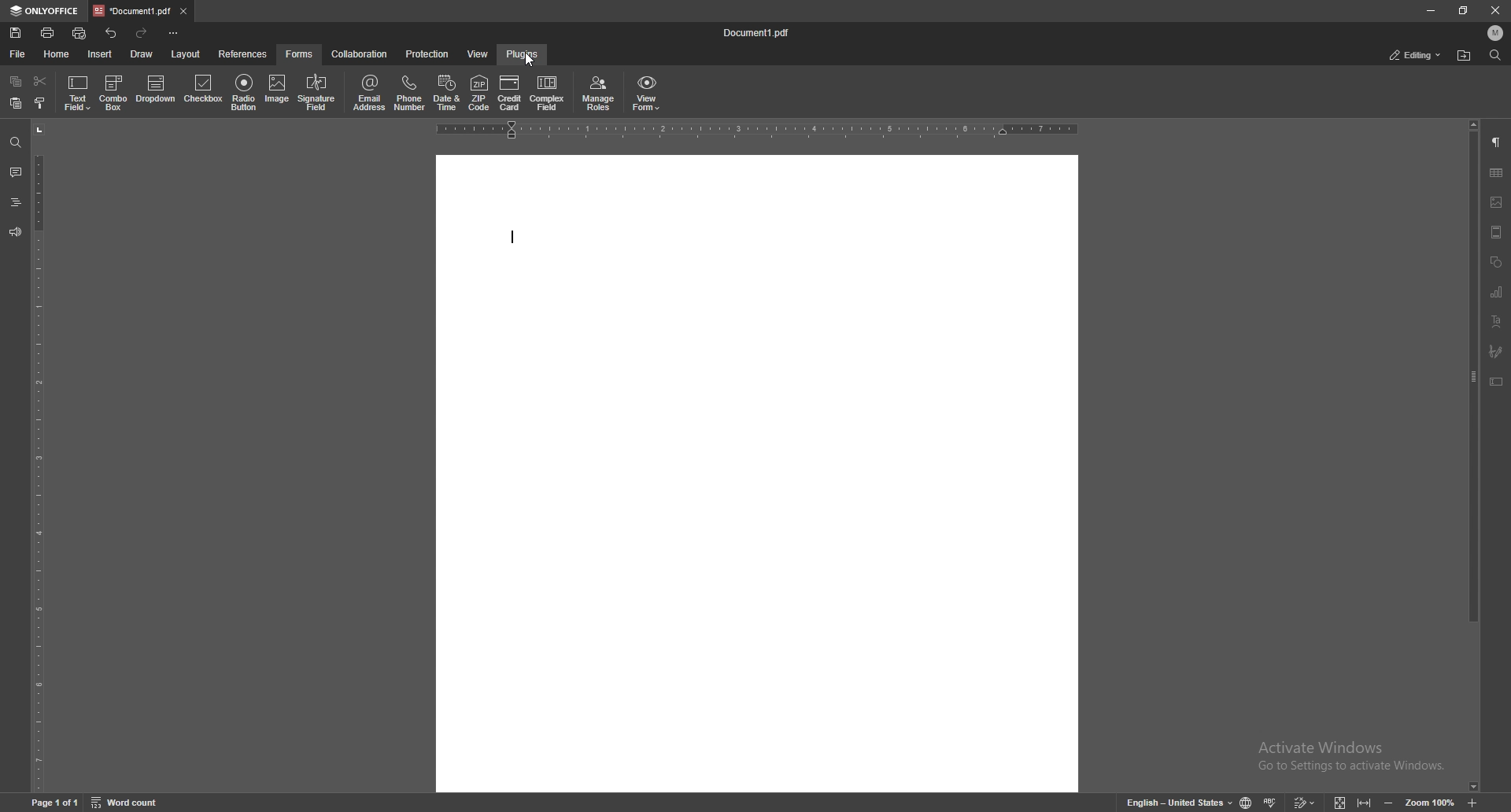  I want to click on document, so click(757, 474).